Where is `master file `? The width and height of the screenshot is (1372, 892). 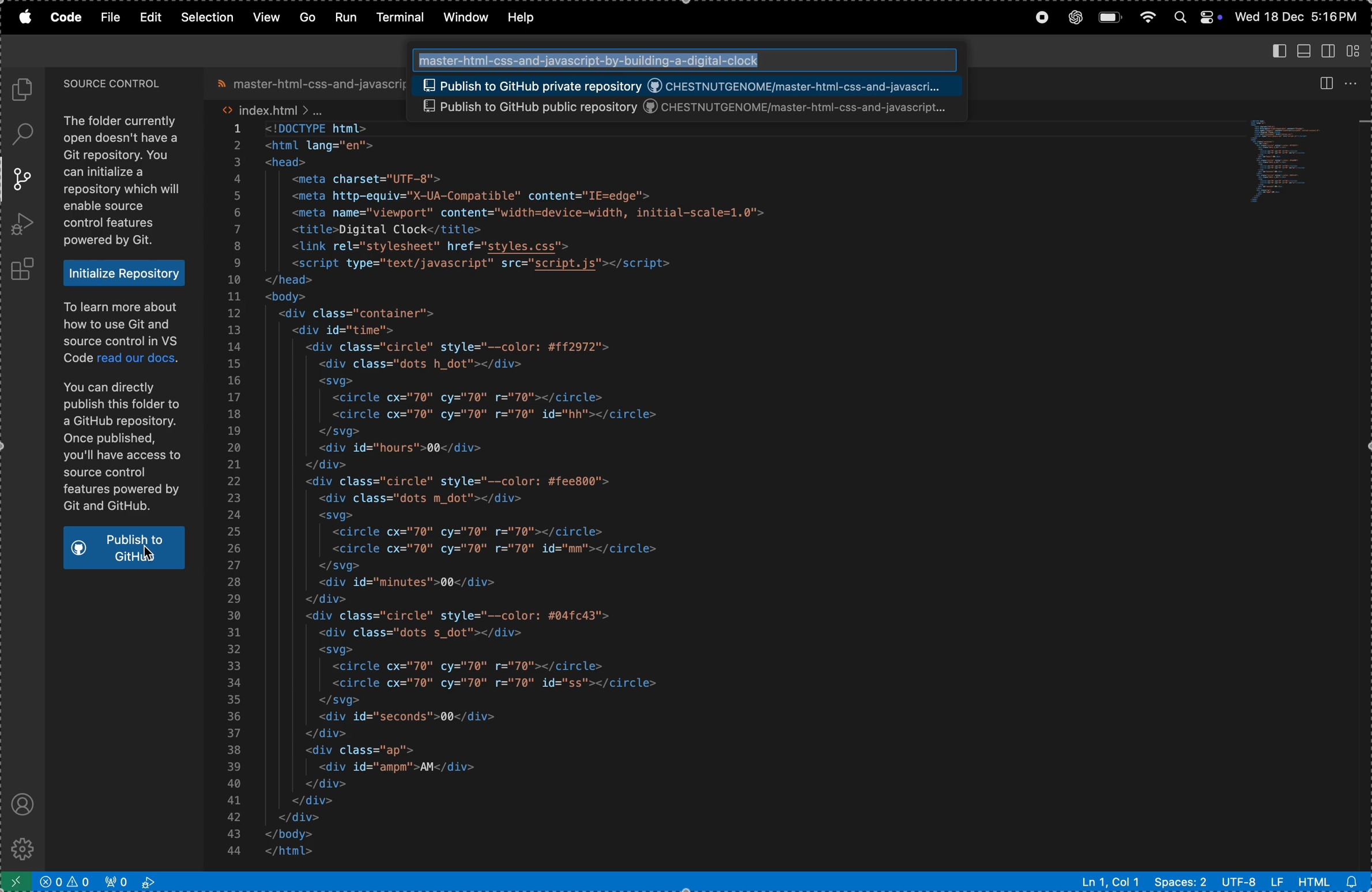 master file  is located at coordinates (311, 84).